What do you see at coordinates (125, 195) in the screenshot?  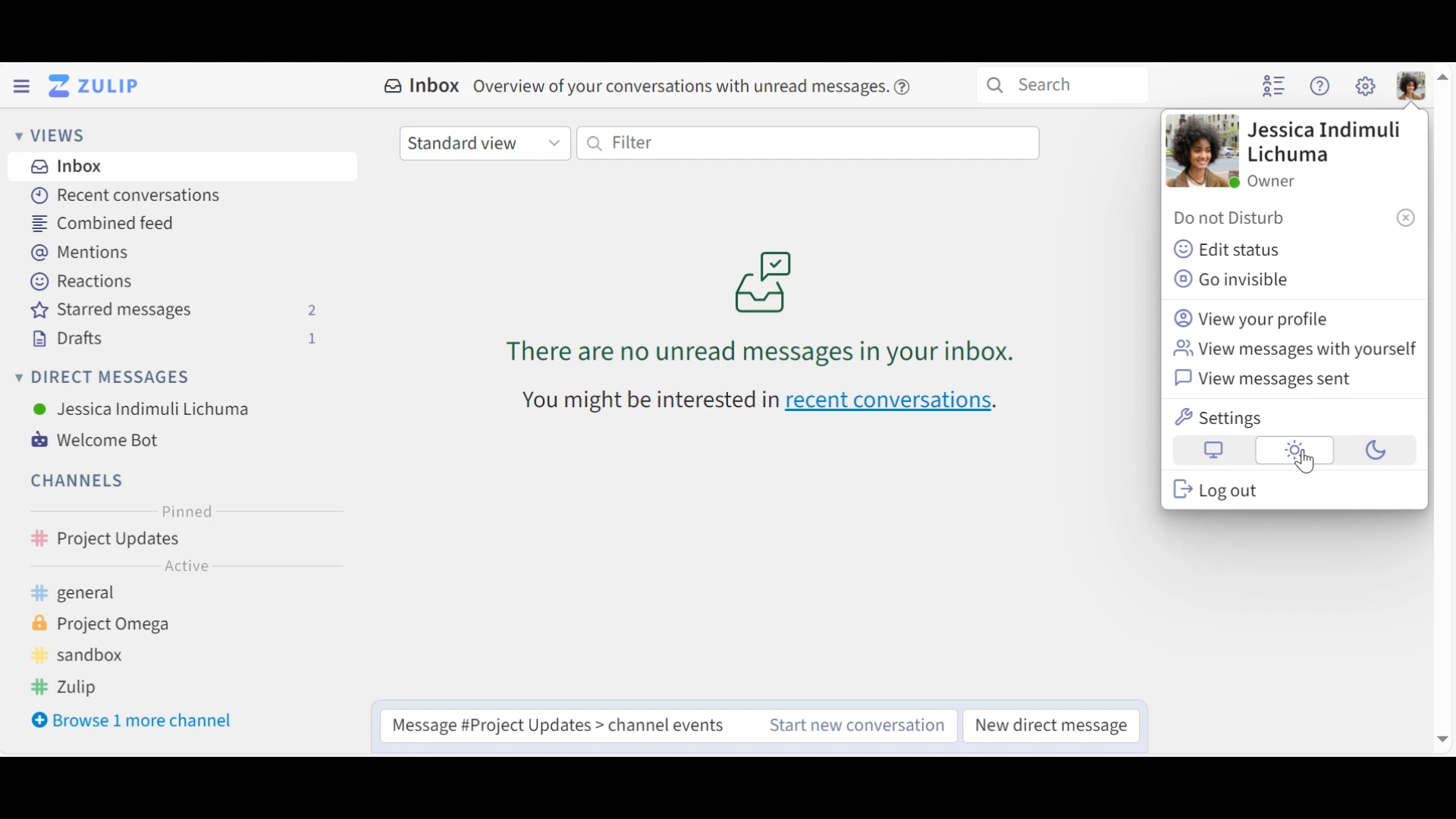 I see `Recent Conversations` at bounding box center [125, 195].